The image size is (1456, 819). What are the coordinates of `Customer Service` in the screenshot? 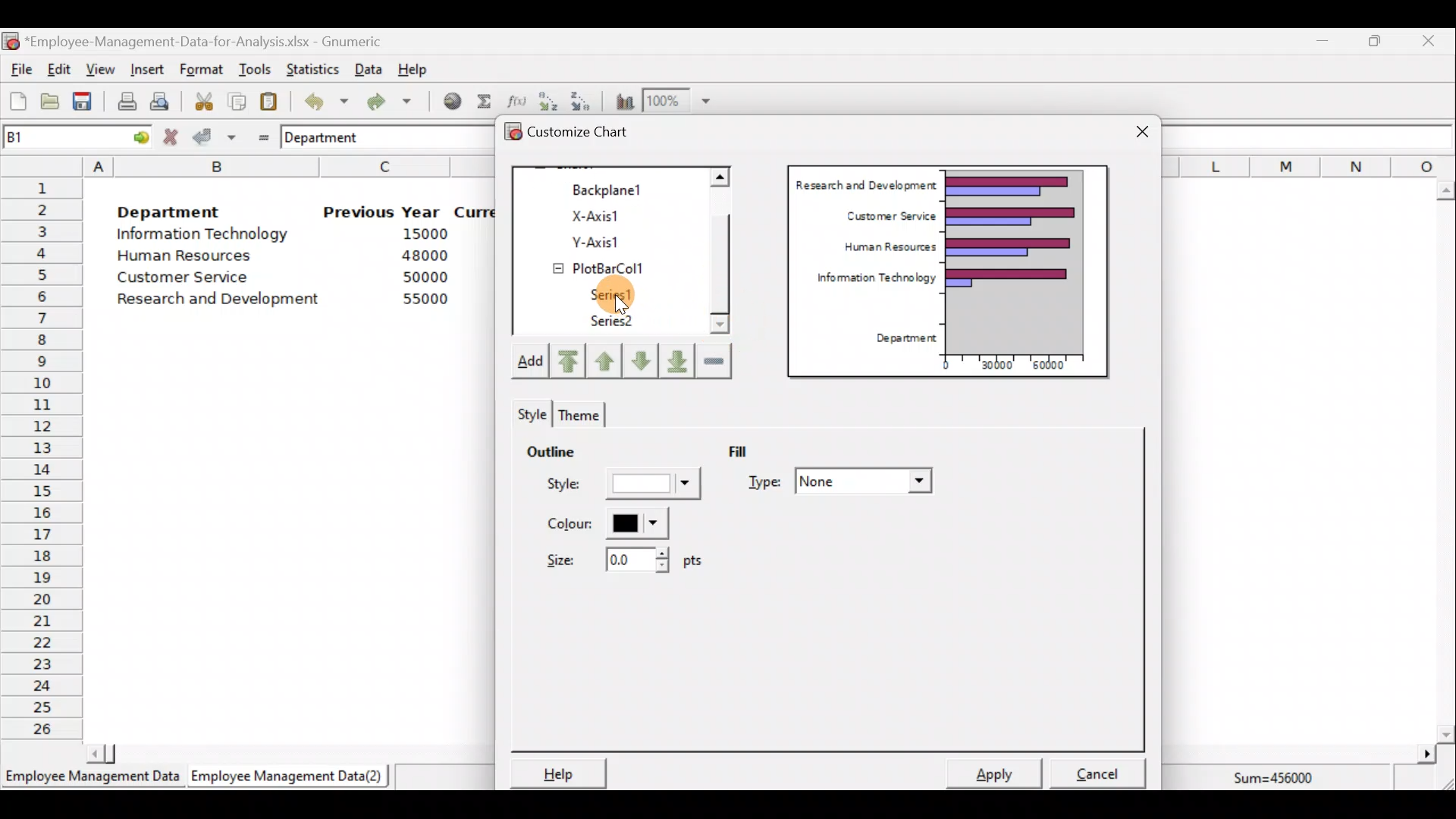 It's located at (887, 214).